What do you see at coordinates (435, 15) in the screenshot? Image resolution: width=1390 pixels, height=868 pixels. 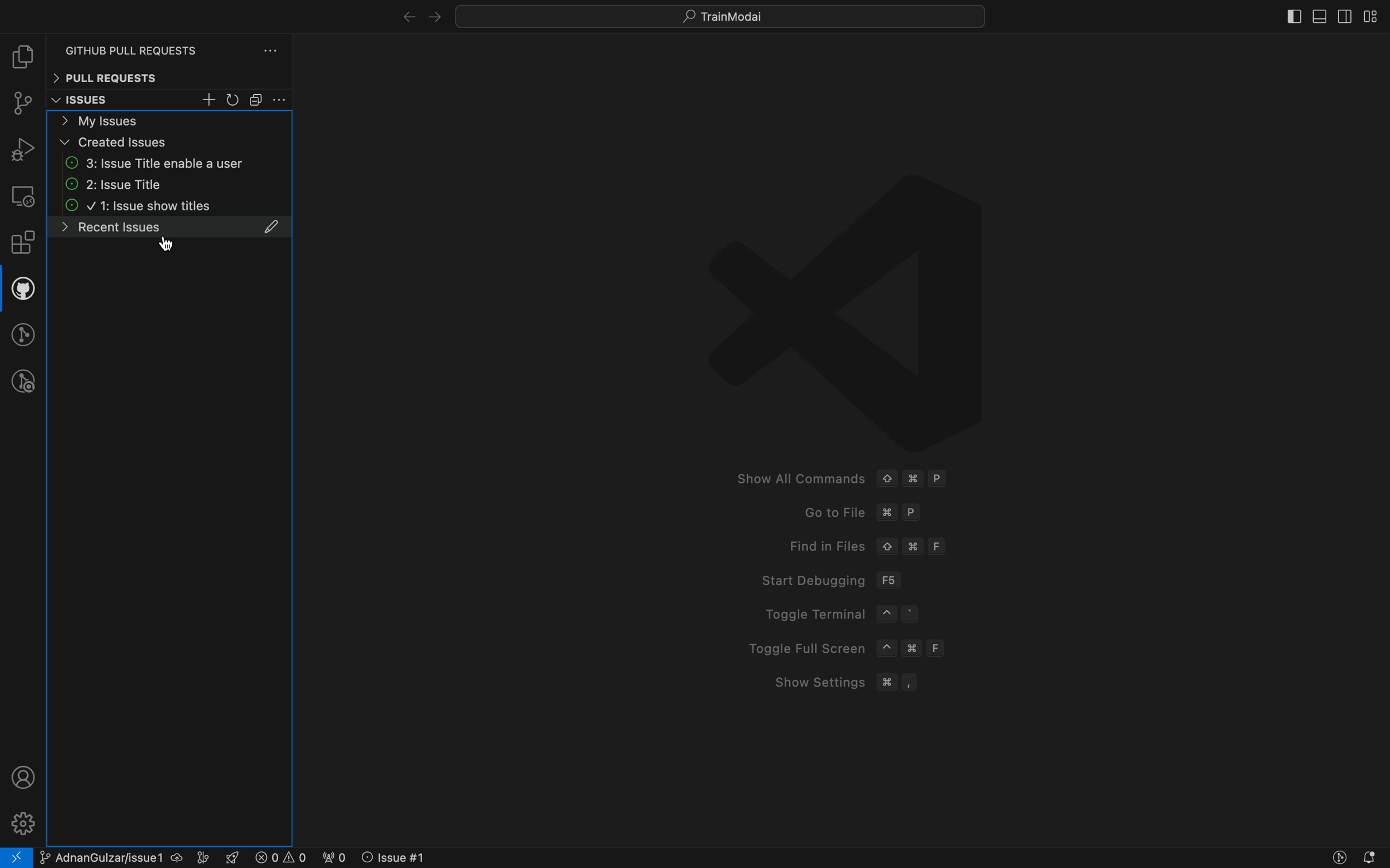 I see `left arrow` at bounding box center [435, 15].